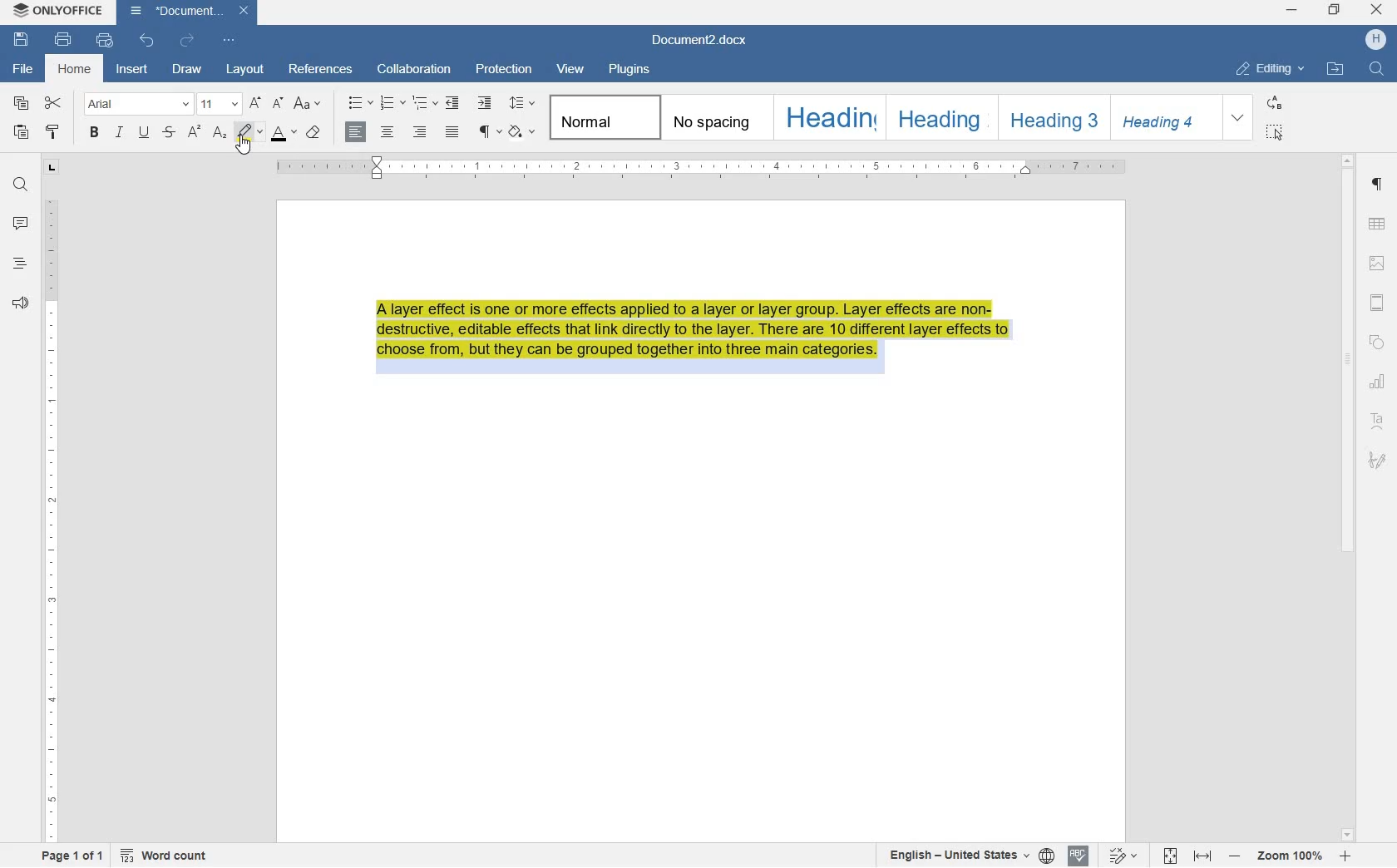  What do you see at coordinates (601, 117) in the screenshot?
I see `NORMAL` at bounding box center [601, 117].